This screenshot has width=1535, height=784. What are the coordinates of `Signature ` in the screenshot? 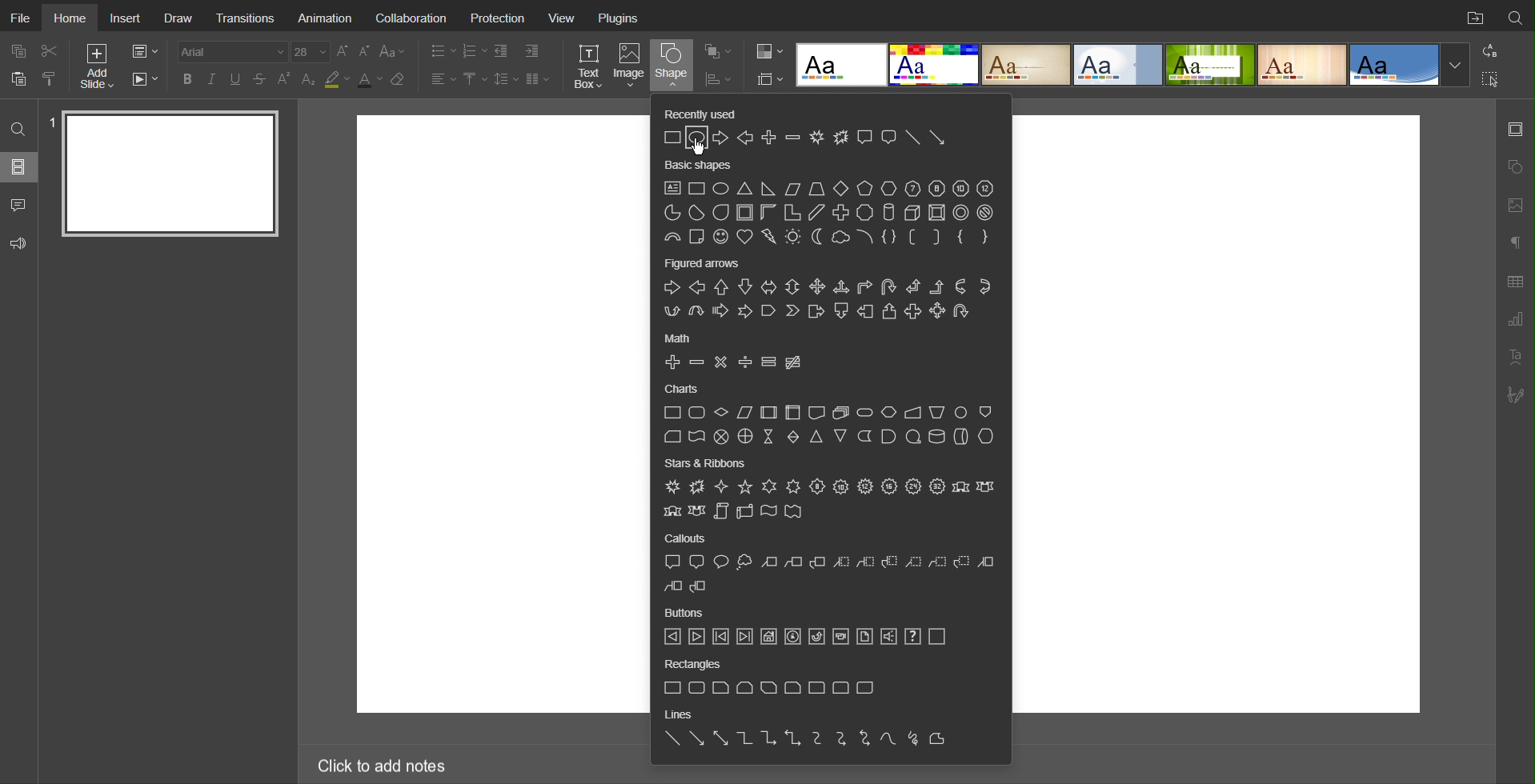 It's located at (1517, 395).